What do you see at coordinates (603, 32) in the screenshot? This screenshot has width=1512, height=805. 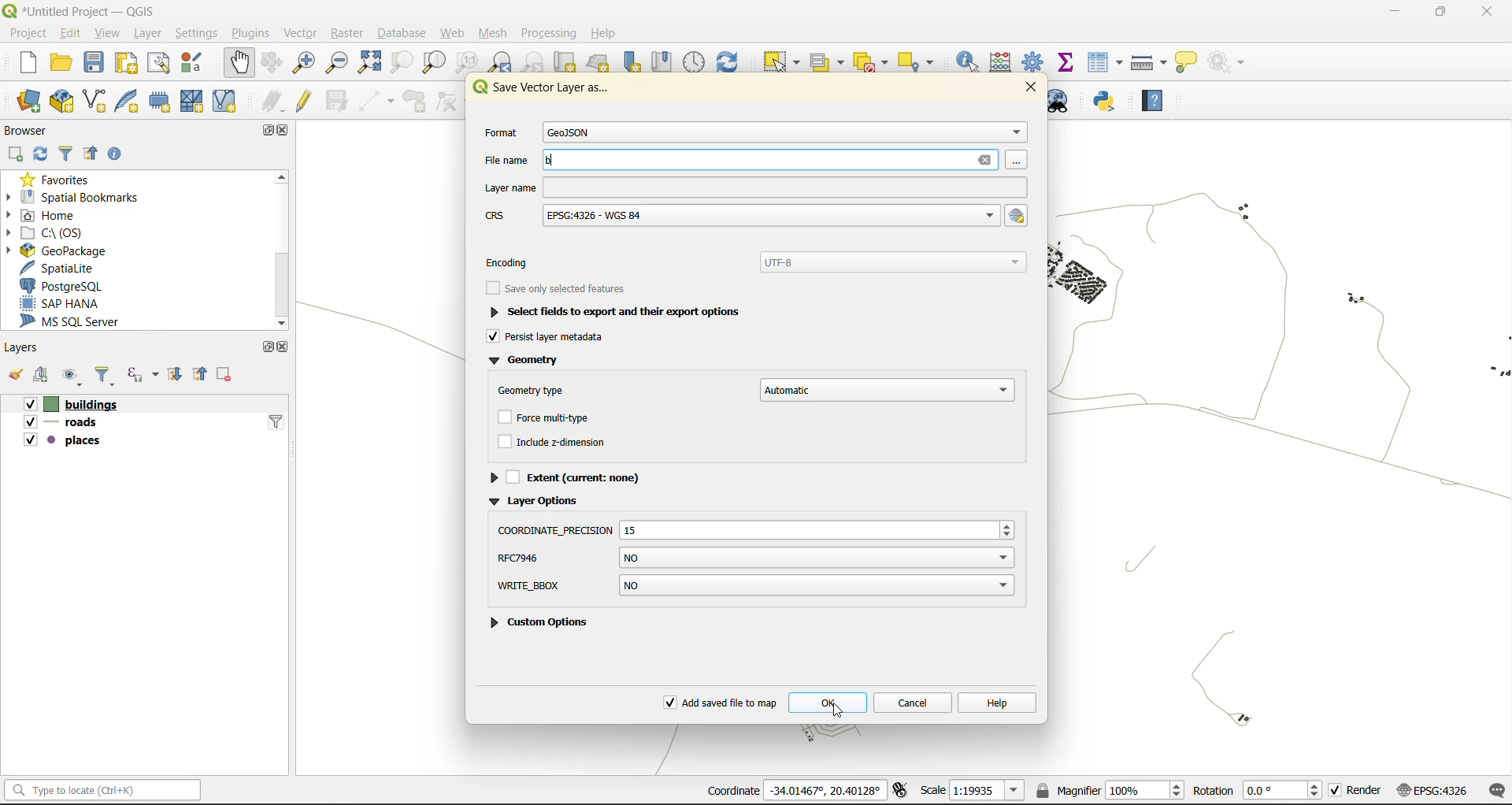 I see `help` at bounding box center [603, 32].